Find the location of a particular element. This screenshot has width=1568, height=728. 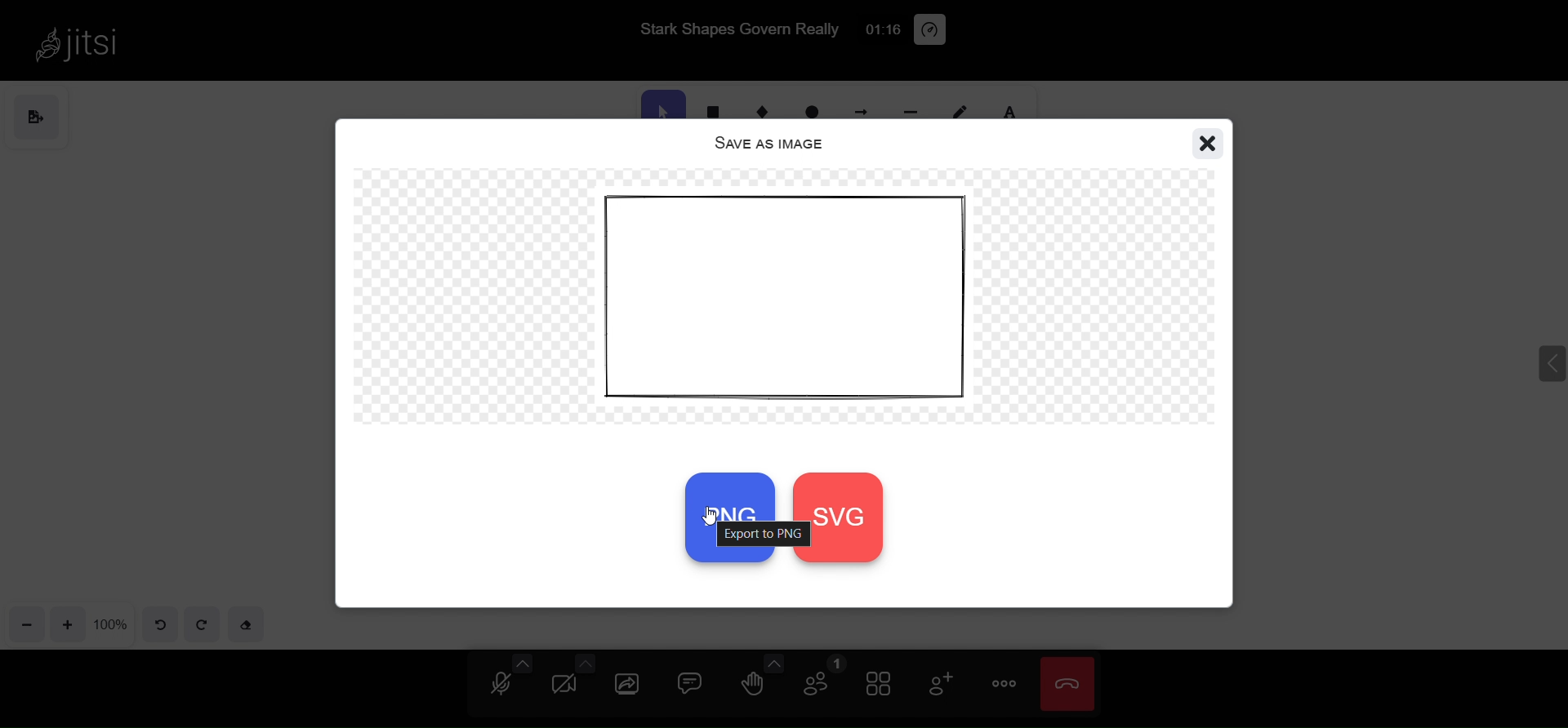

save as image is located at coordinates (764, 140).